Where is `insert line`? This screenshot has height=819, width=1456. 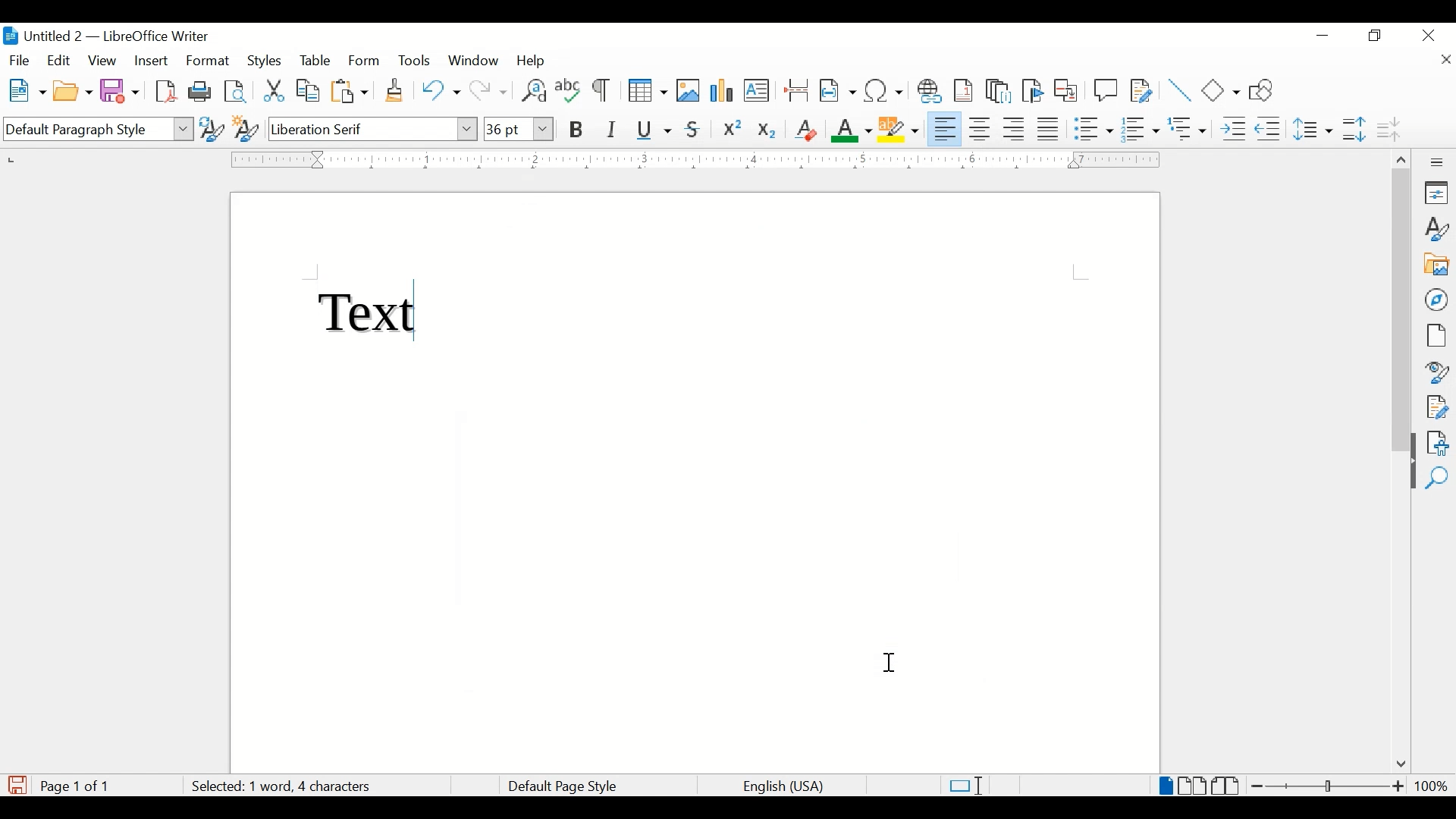
insert line is located at coordinates (1180, 90).